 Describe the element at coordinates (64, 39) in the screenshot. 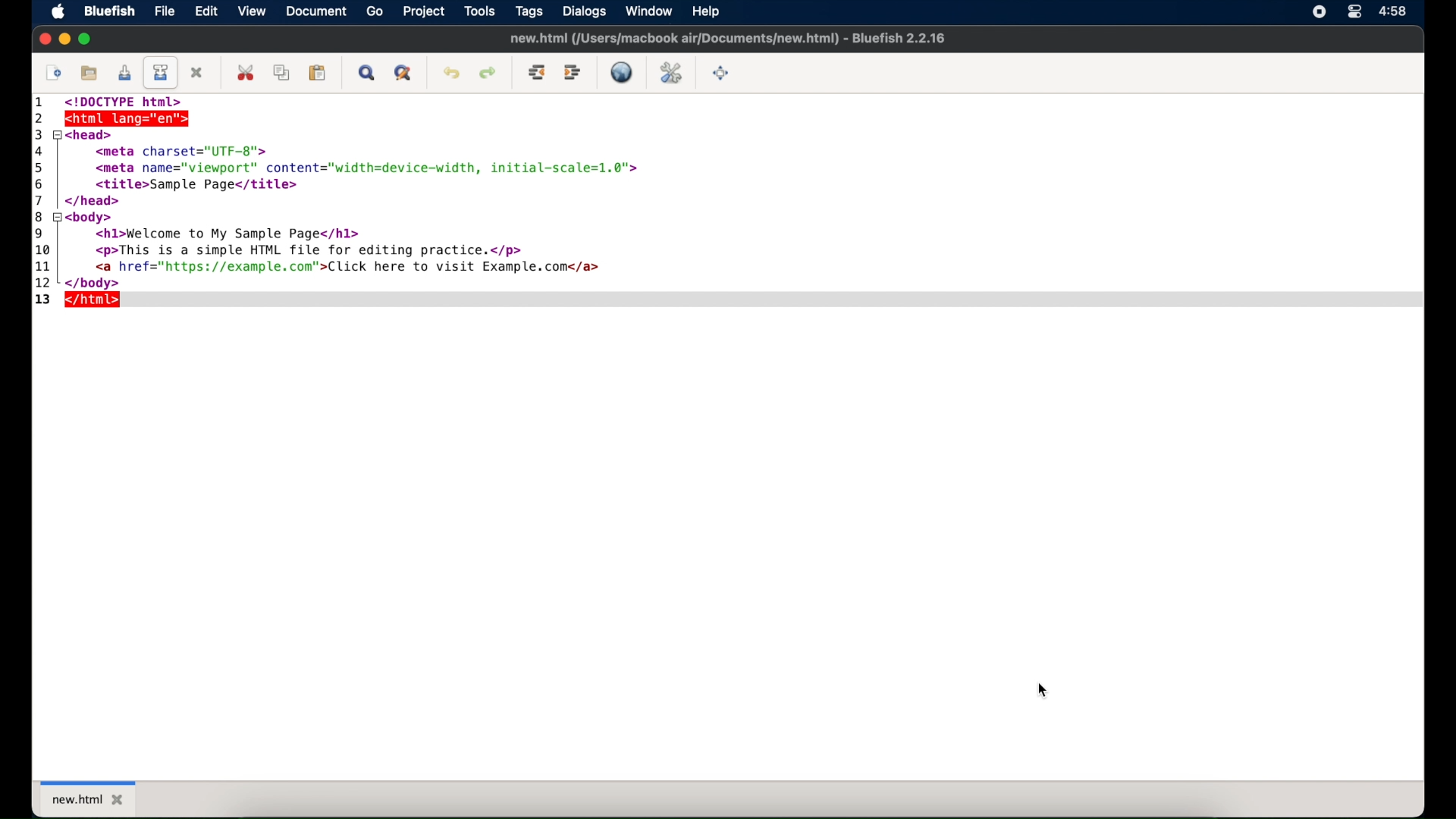

I see `minimize` at that location.